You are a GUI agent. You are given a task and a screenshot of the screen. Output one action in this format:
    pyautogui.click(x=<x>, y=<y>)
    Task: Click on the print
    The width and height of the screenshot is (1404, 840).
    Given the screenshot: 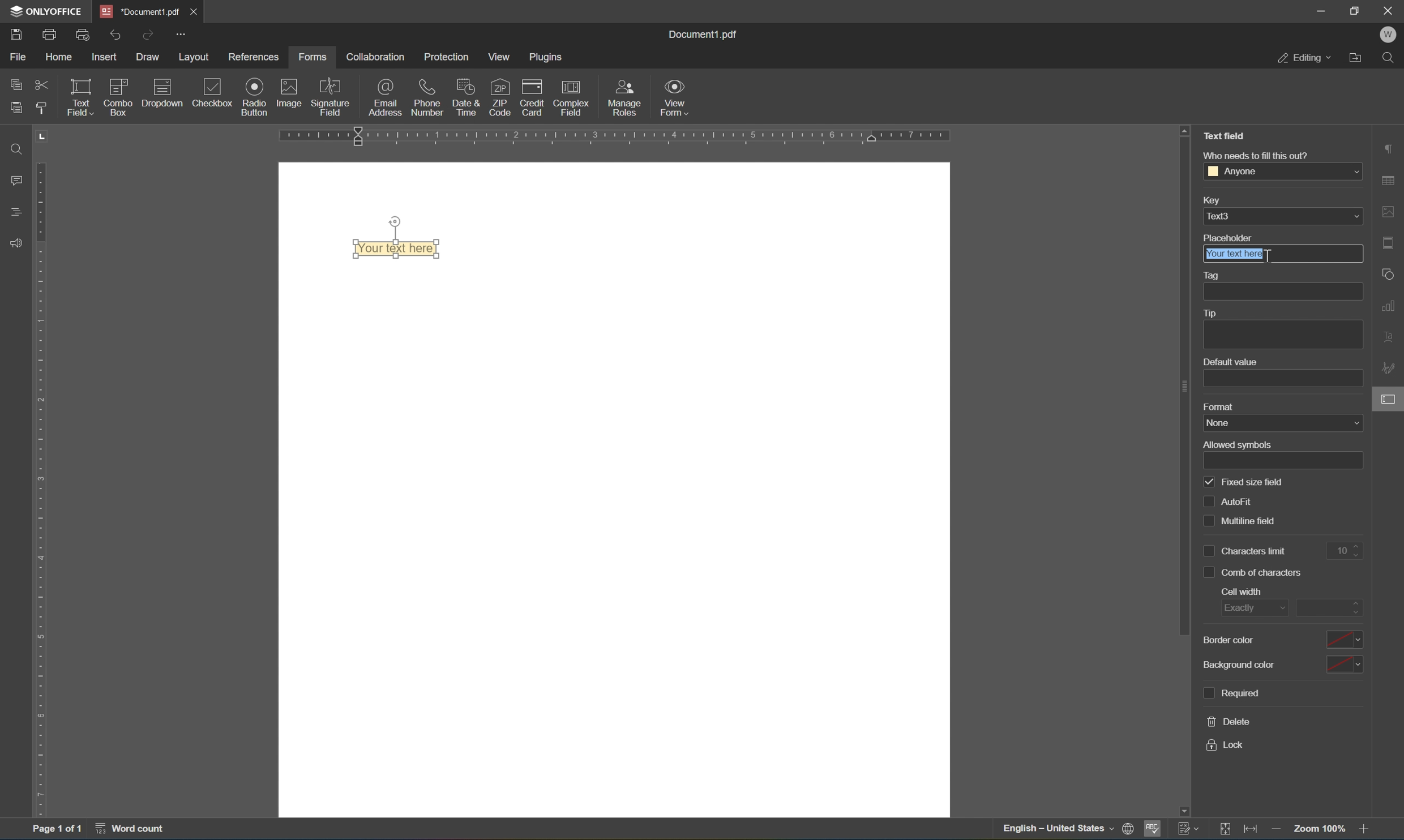 What is the action you would take?
    pyautogui.click(x=49, y=32)
    